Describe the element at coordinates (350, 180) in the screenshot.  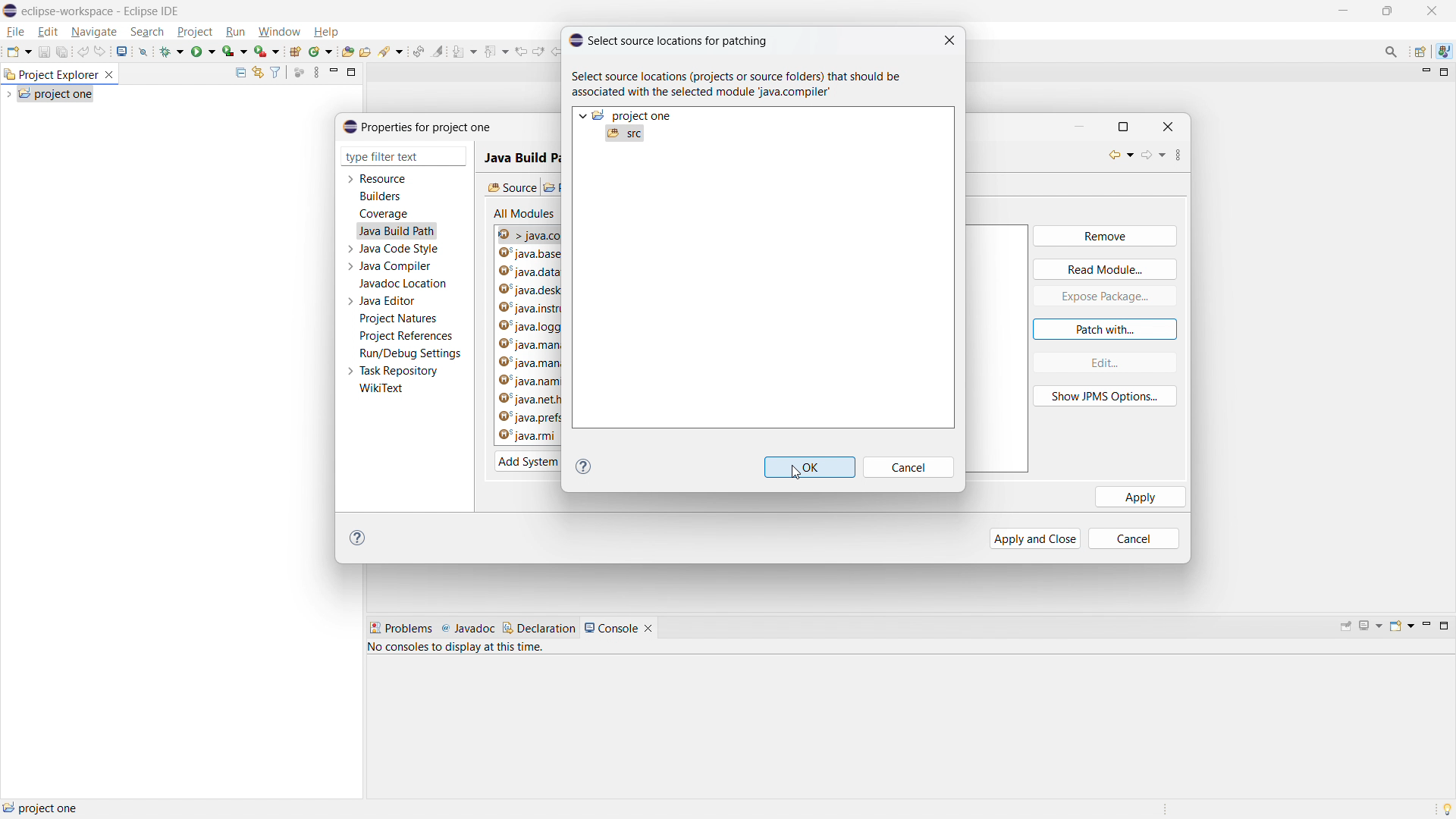
I see `expand resource` at that location.